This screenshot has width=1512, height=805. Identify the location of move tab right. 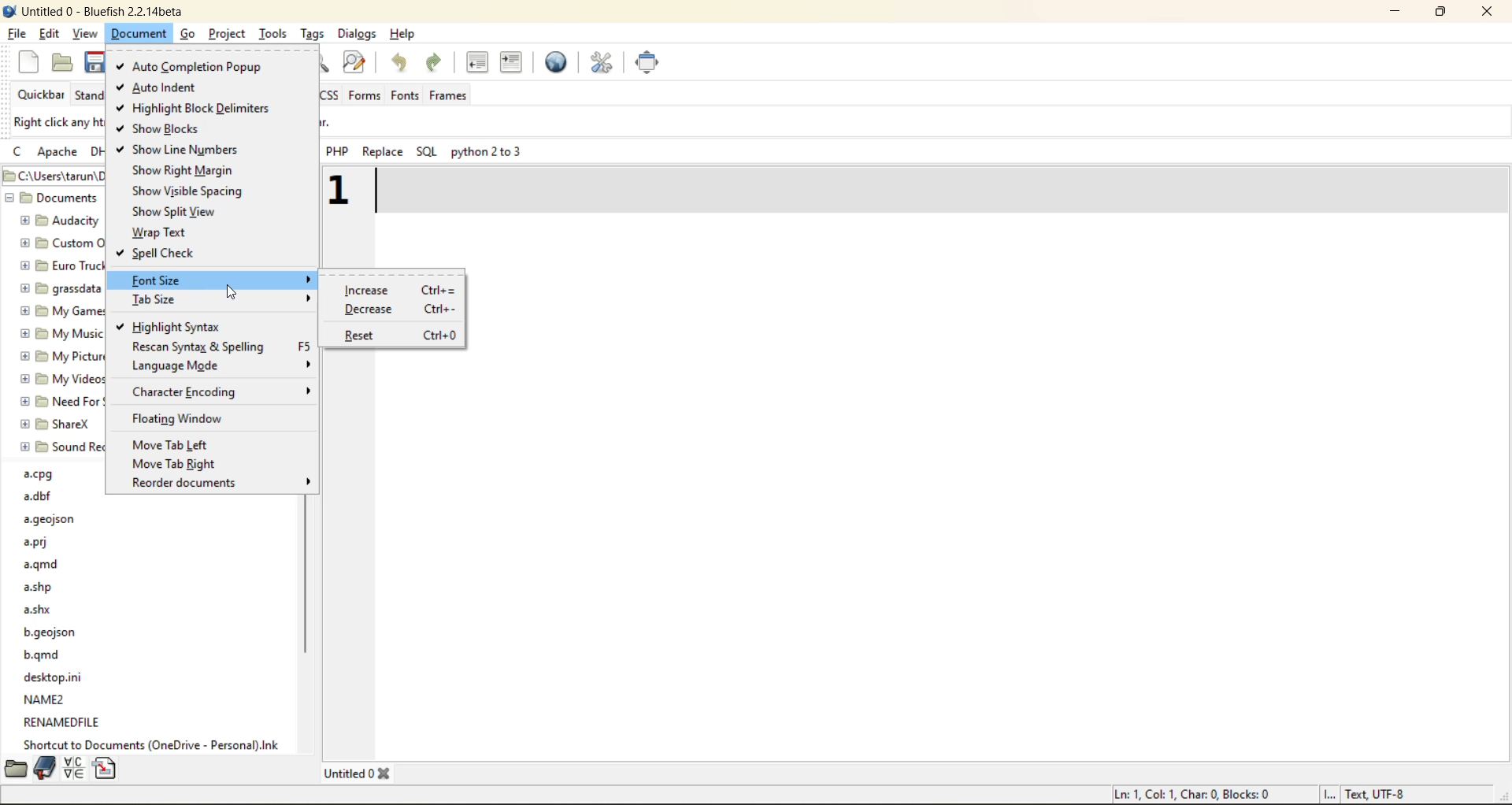
(177, 465).